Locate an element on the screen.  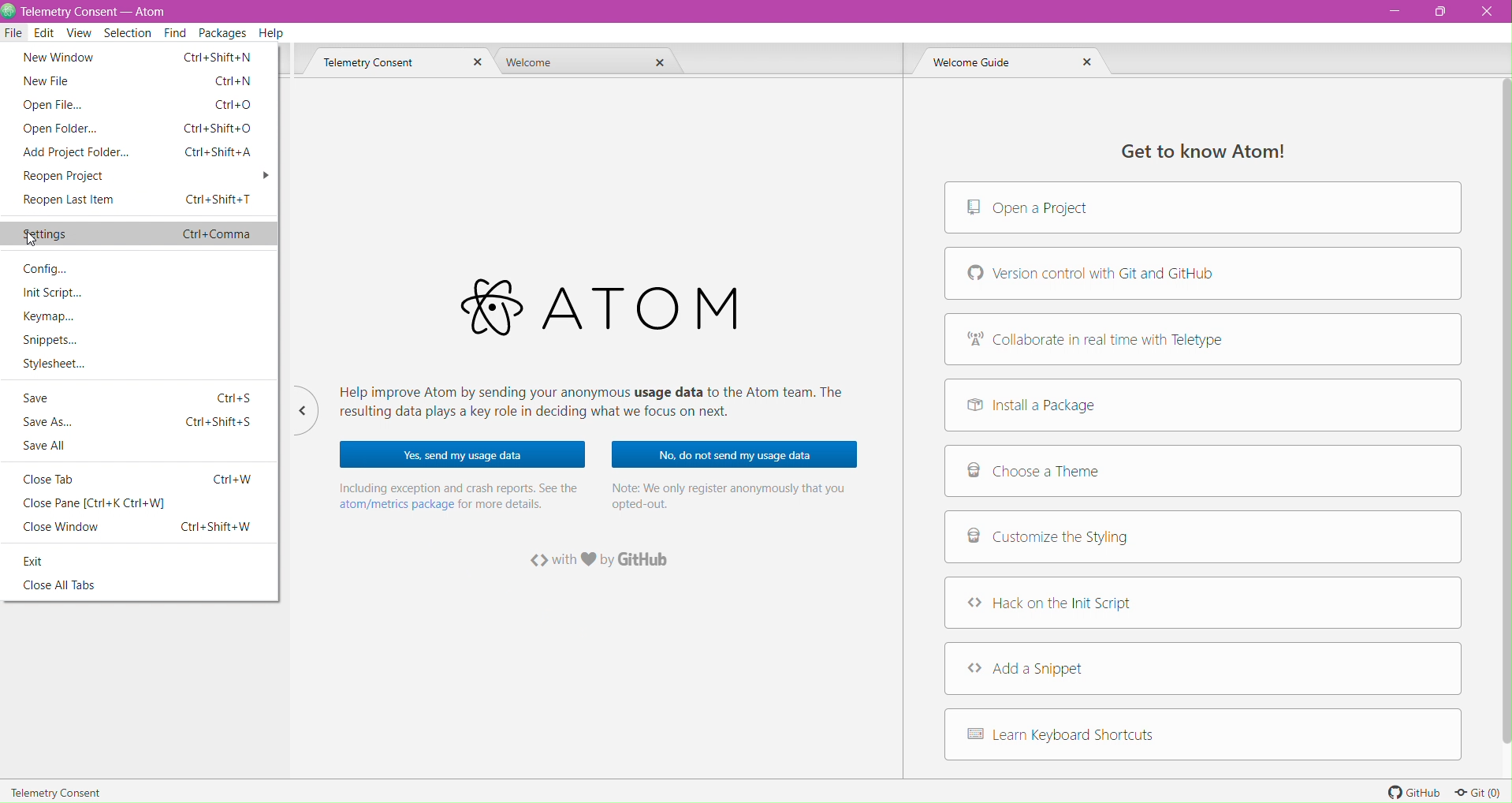
Close Tab is located at coordinates (145, 480).